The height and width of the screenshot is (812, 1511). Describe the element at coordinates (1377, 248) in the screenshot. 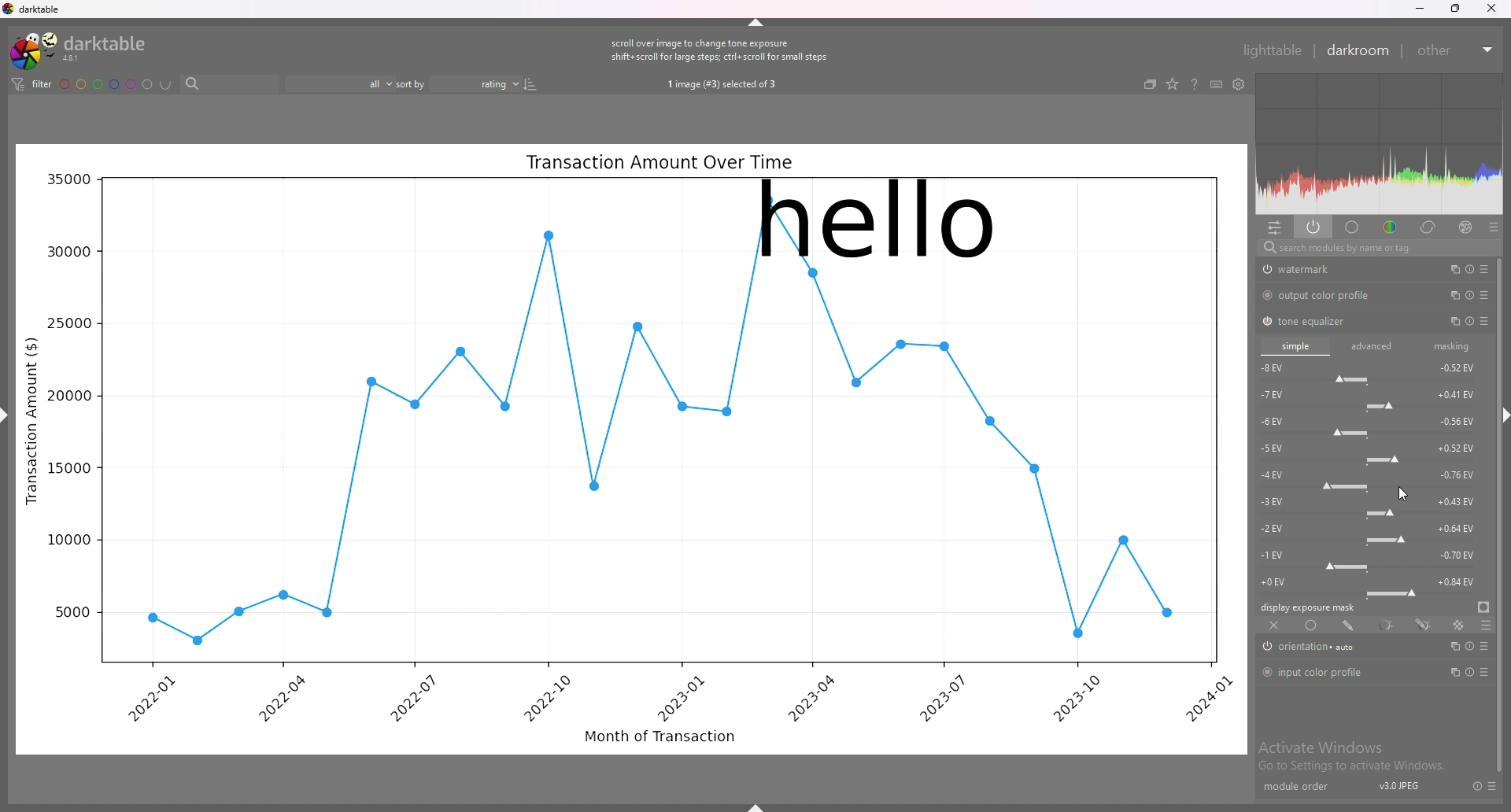

I see `search modules` at that location.